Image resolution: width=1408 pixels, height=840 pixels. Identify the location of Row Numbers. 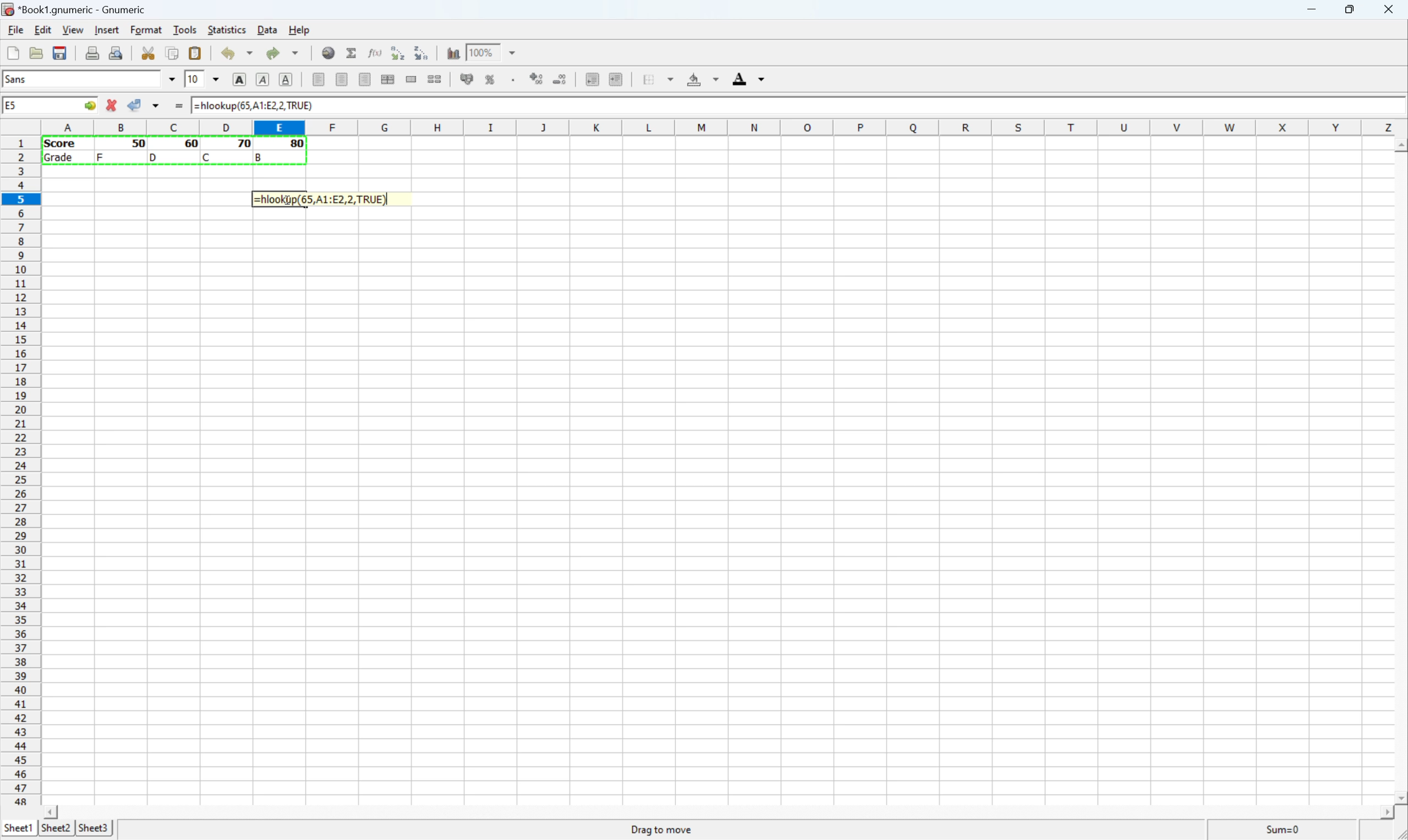
(20, 471).